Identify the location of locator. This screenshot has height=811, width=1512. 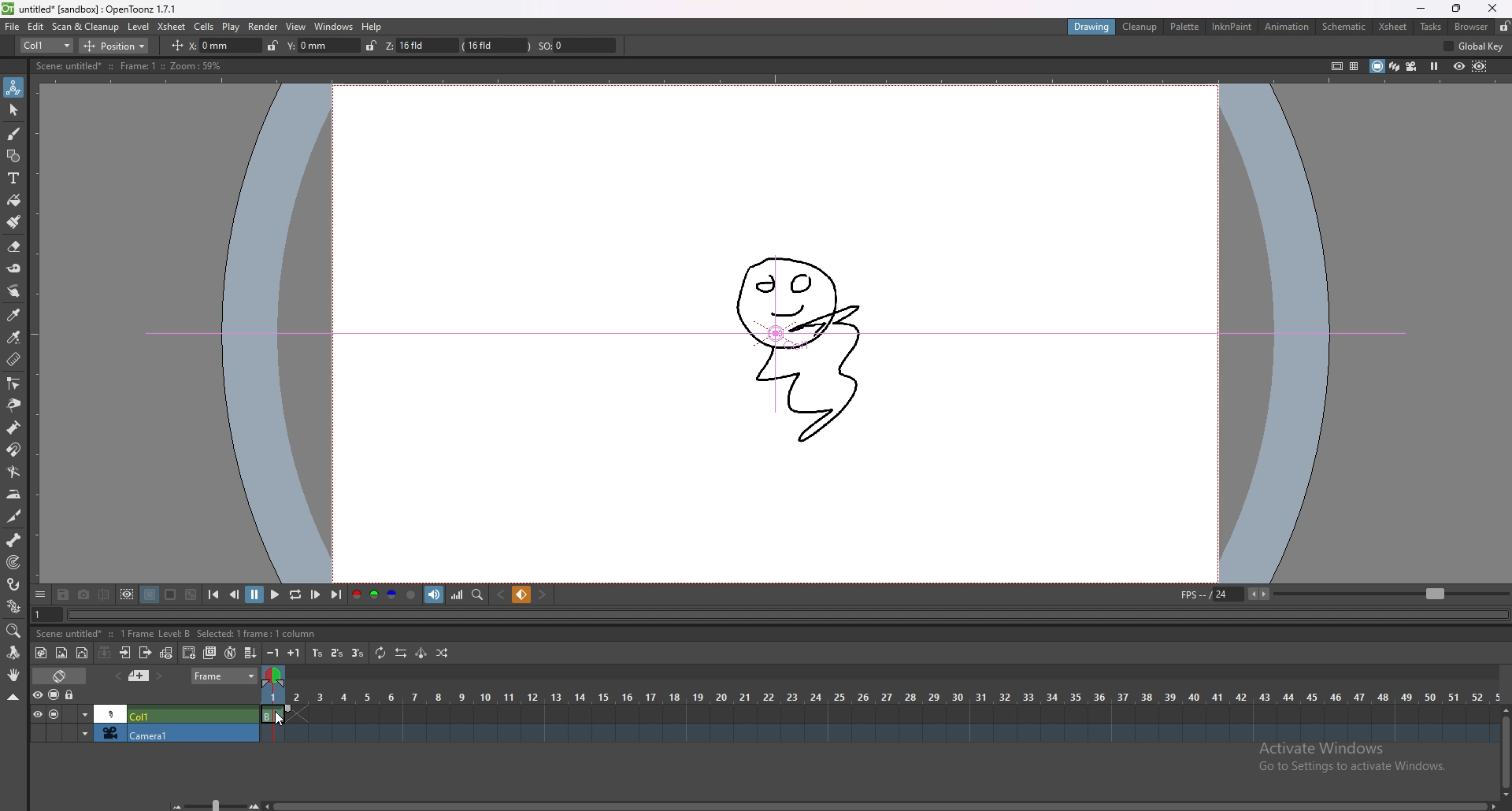
(478, 594).